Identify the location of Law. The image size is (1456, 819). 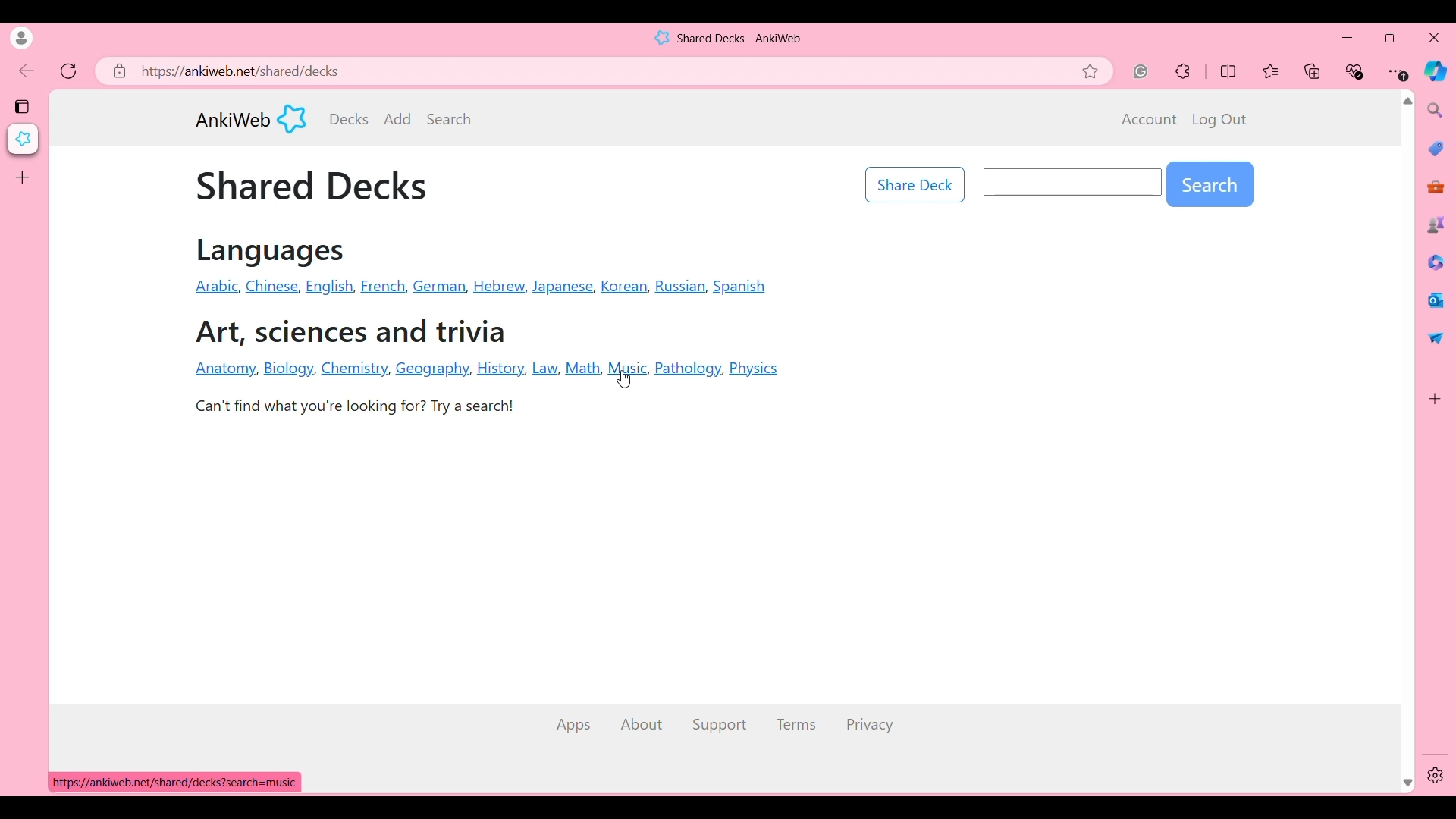
(542, 368).